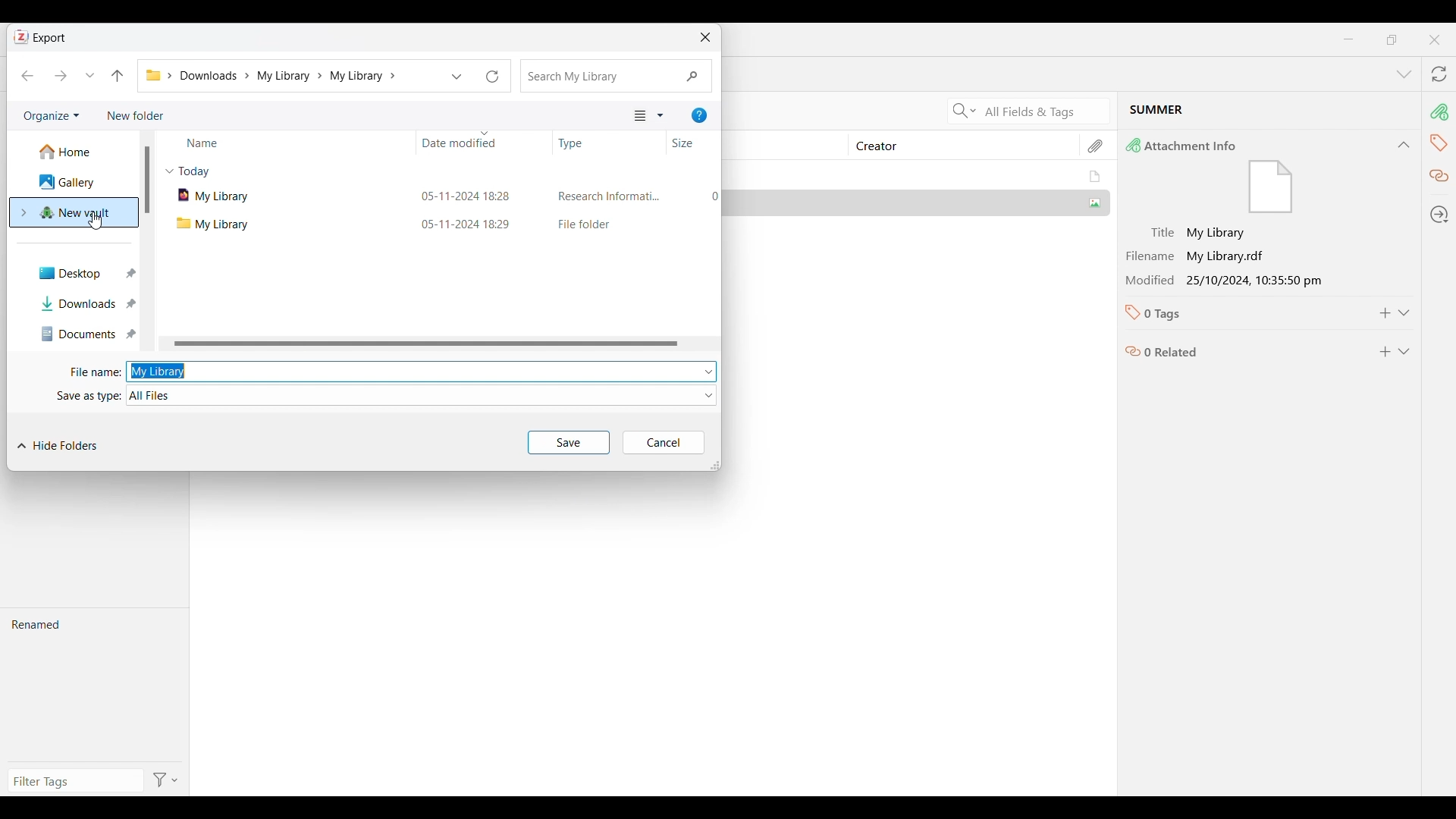  Describe the element at coordinates (152, 75) in the screenshot. I see `Folders` at that location.